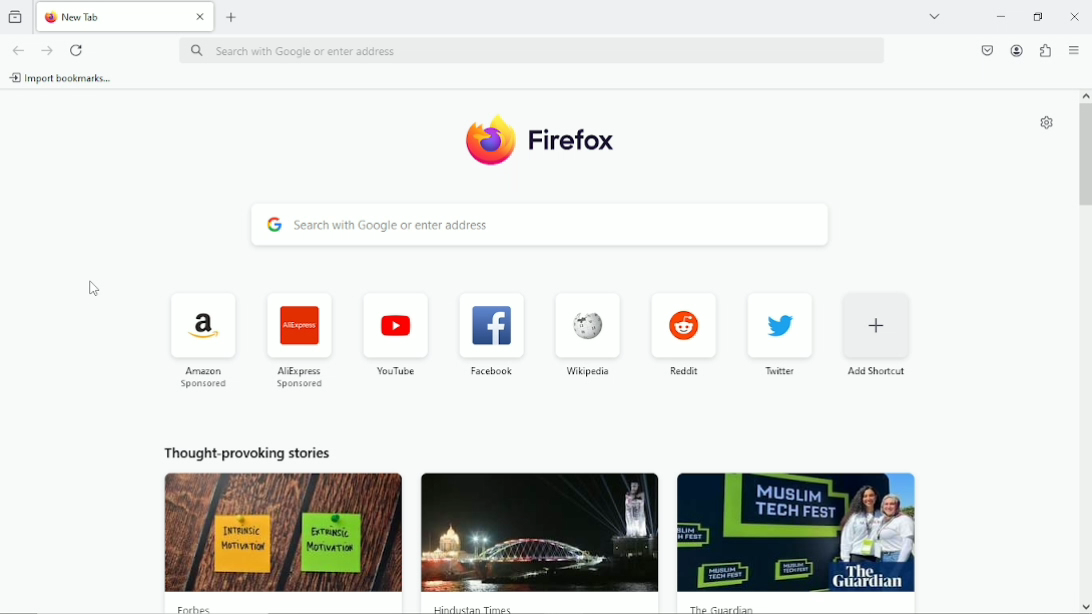  Describe the element at coordinates (984, 50) in the screenshot. I see `Save to pocket` at that location.